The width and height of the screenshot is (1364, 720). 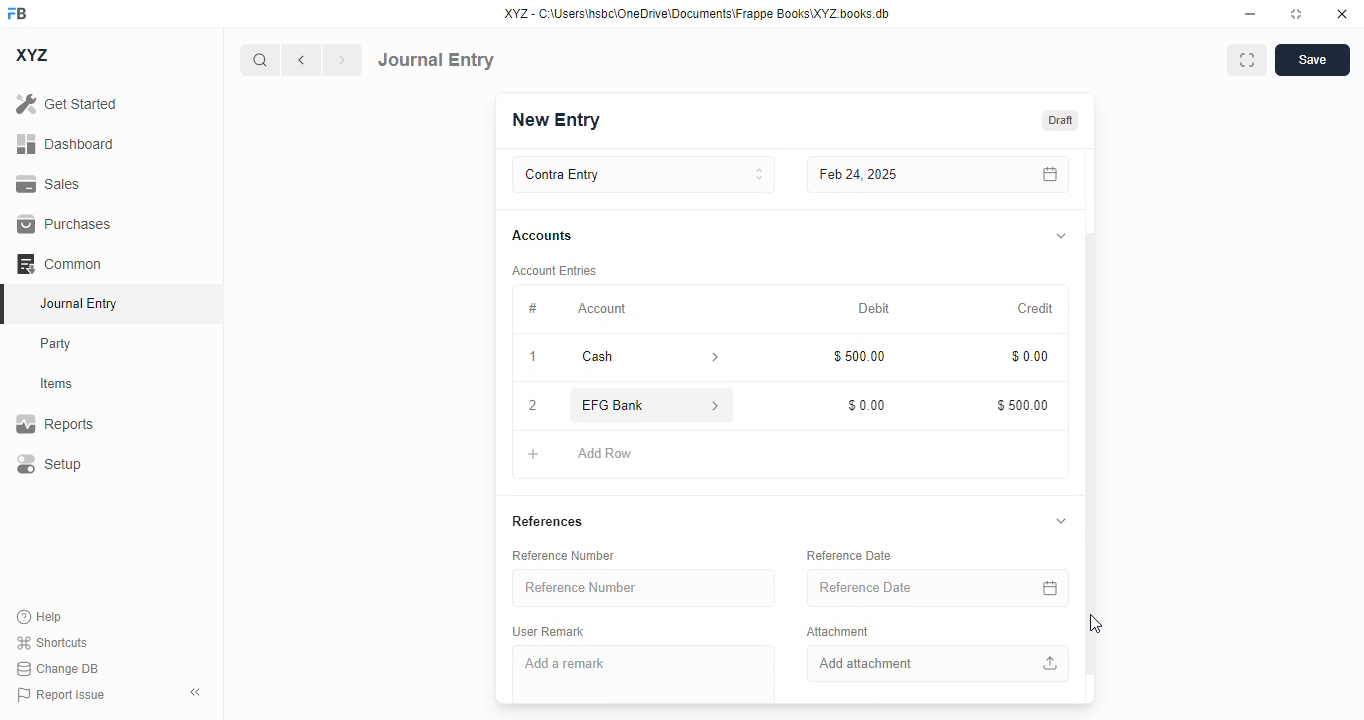 What do you see at coordinates (645, 674) in the screenshot?
I see `add a remark` at bounding box center [645, 674].